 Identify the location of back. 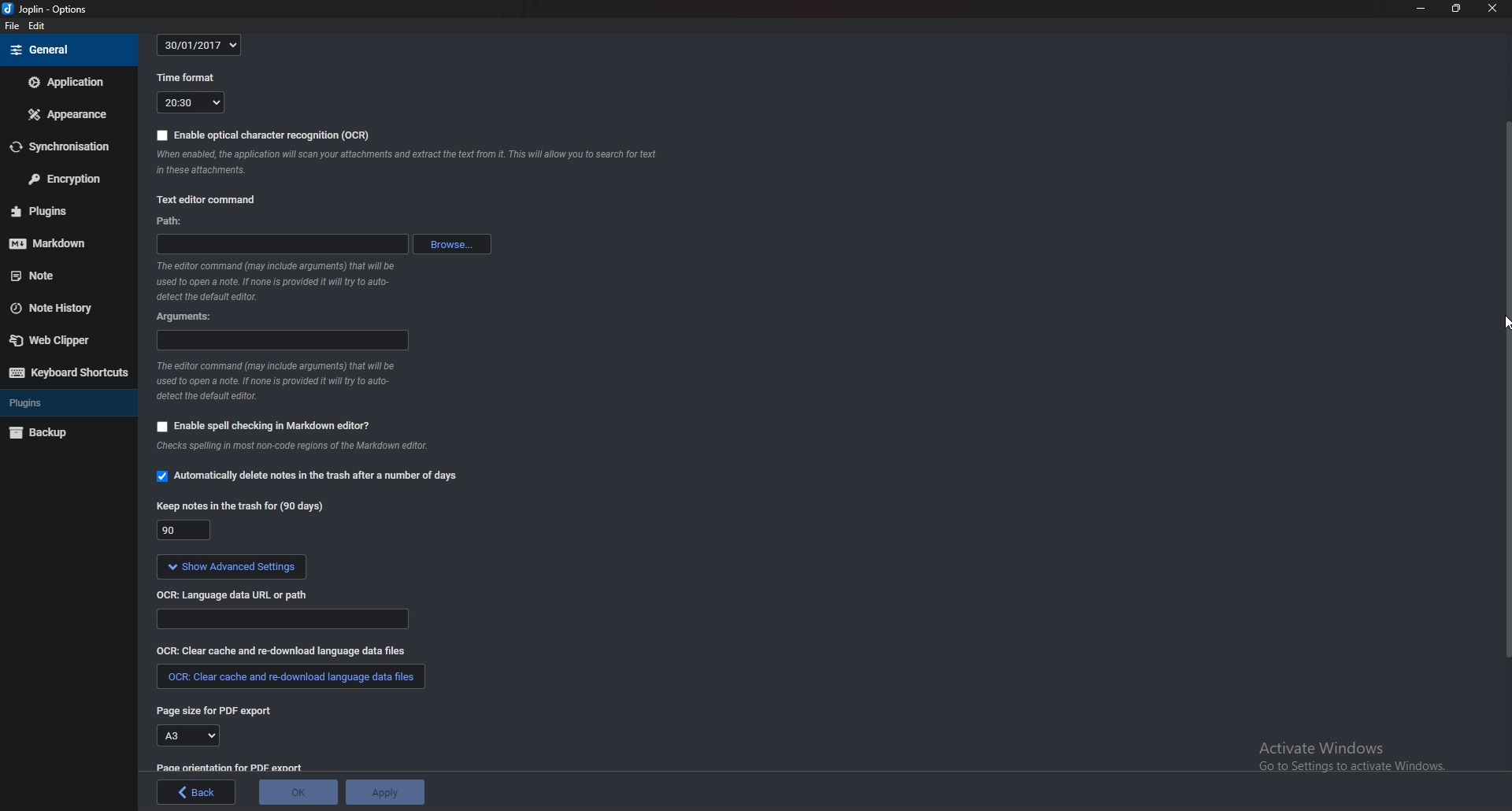
(196, 792).